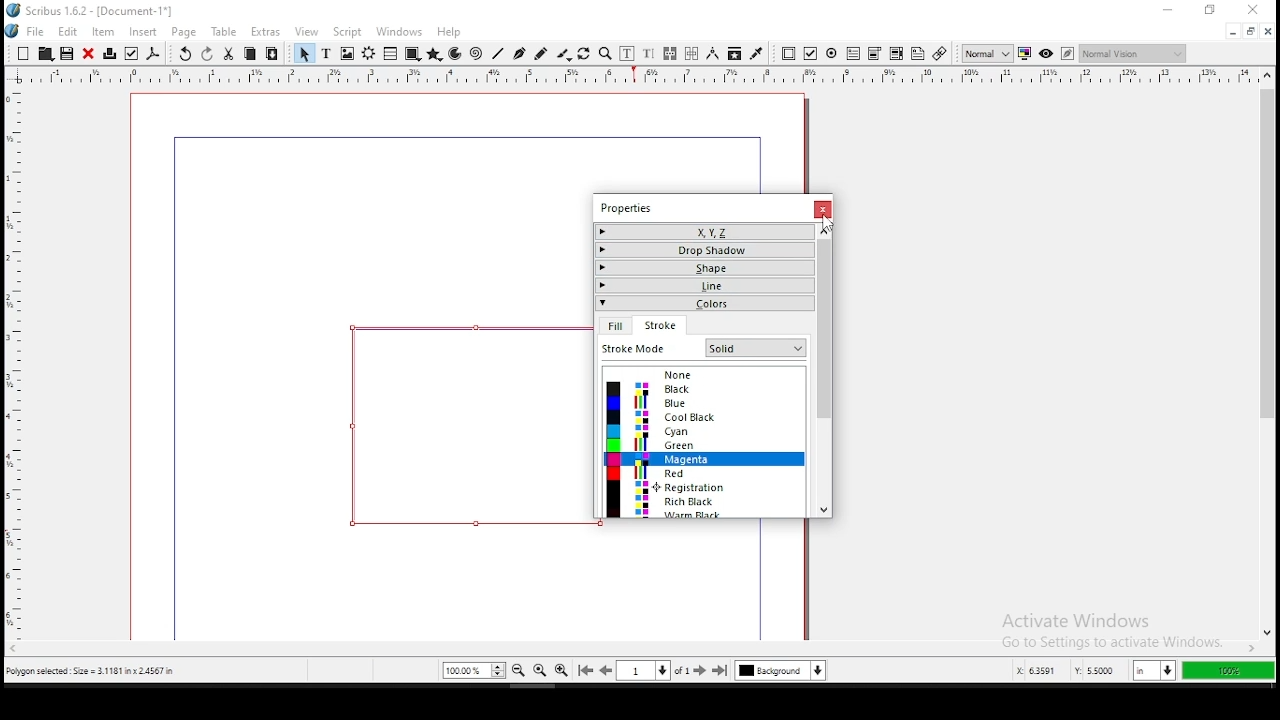 This screenshot has width=1280, height=720. Describe the element at coordinates (130, 54) in the screenshot. I see `preflight verifier` at that location.